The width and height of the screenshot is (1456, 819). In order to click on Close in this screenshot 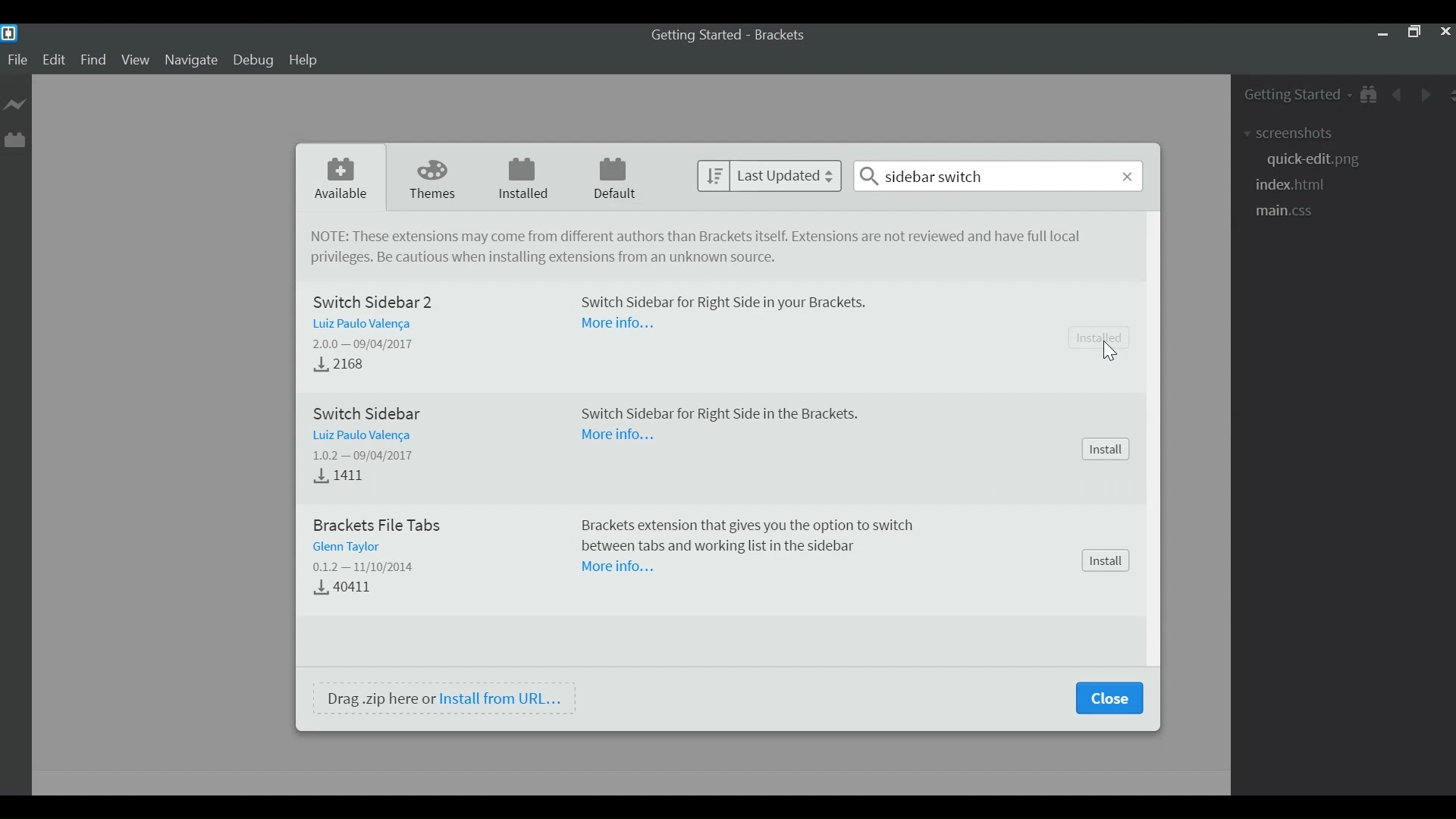, I will do `click(1108, 698)`.